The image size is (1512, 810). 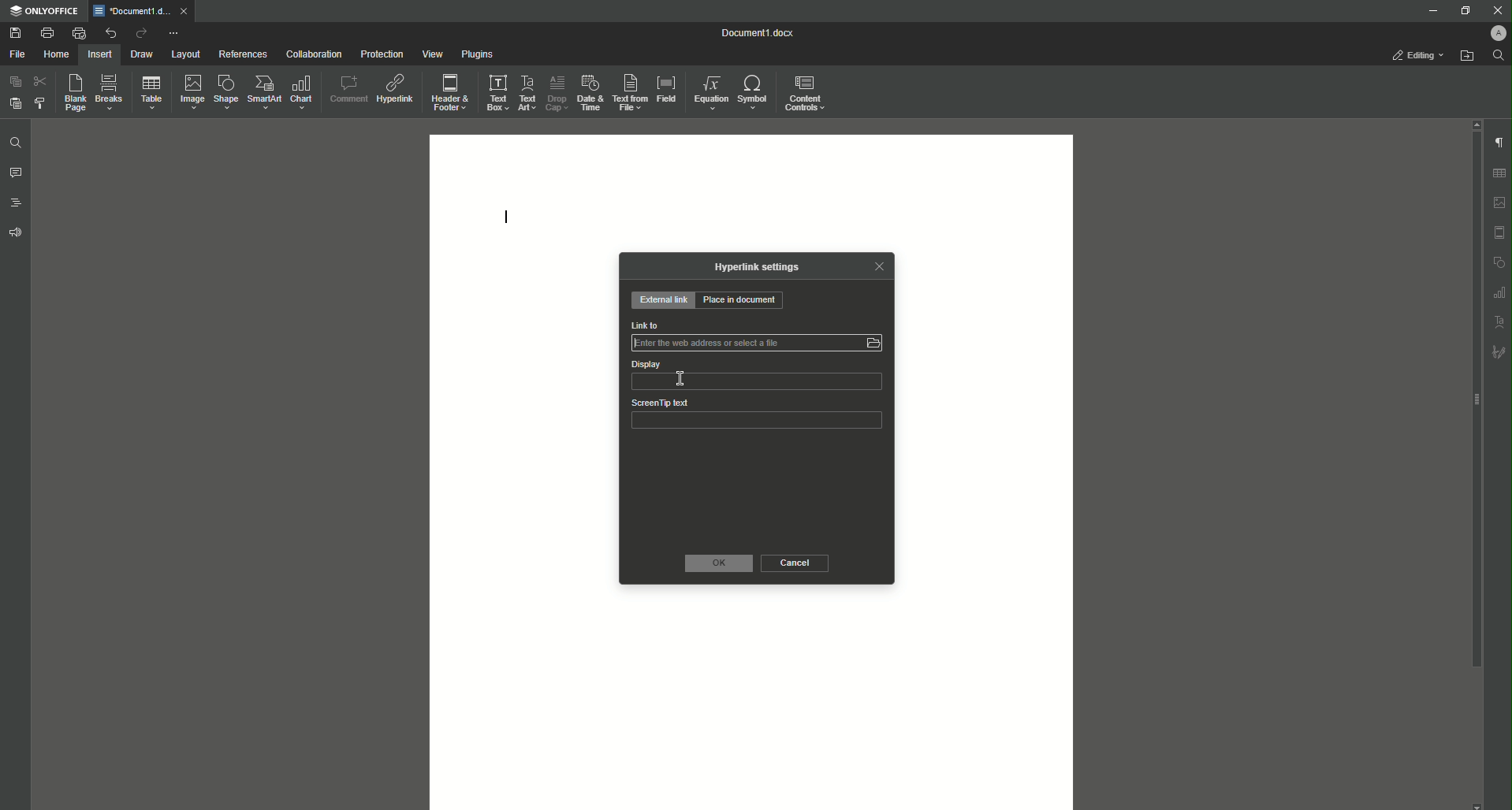 What do you see at coordinates (15, 81) in the screenshot?
I see `Copy` at bounding box center [15, 81].